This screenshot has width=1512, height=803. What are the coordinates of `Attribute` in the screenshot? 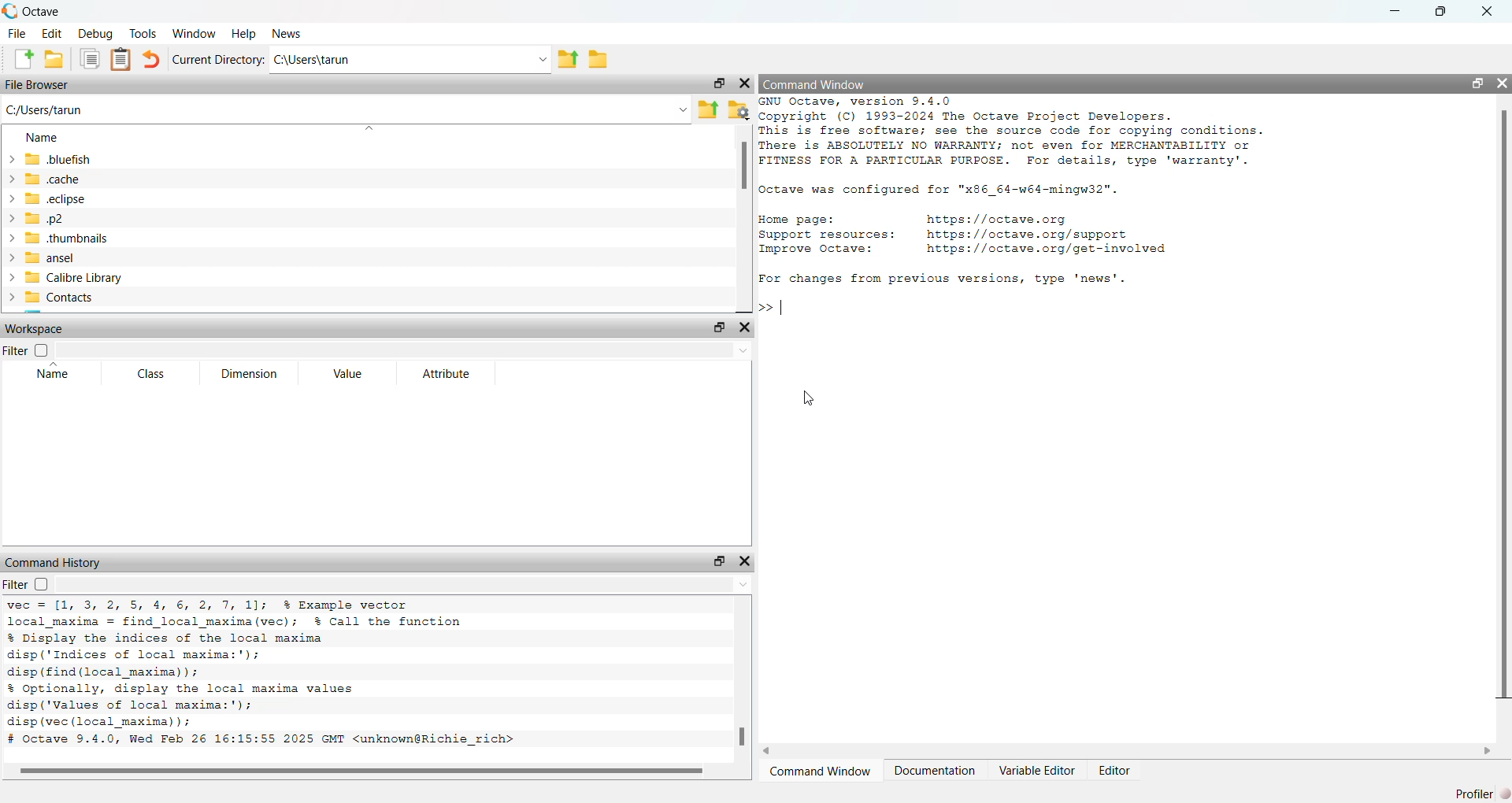 It's located at (444, 373).